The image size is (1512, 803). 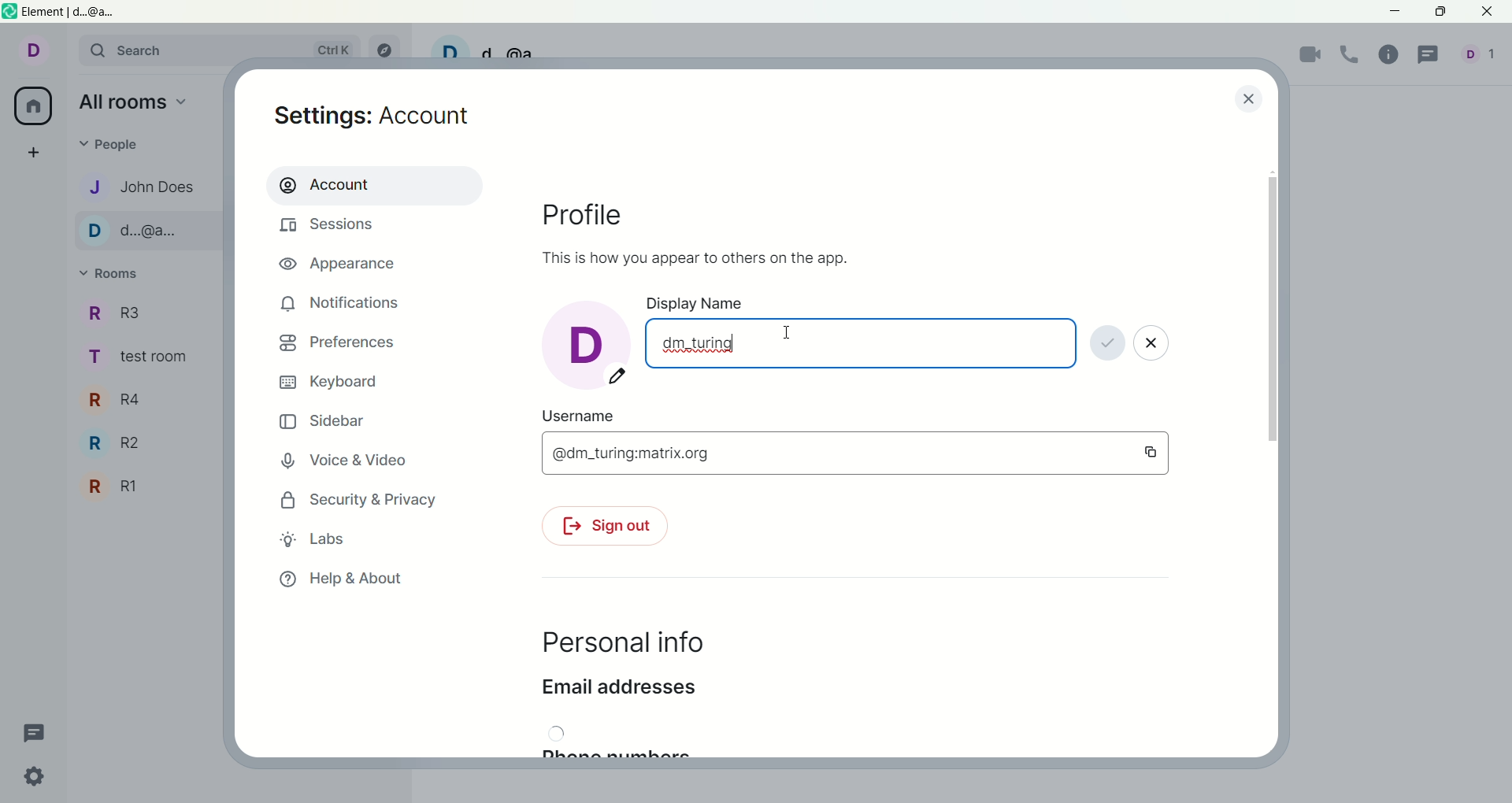 I want to click on profile, so click(x=584, y=214).